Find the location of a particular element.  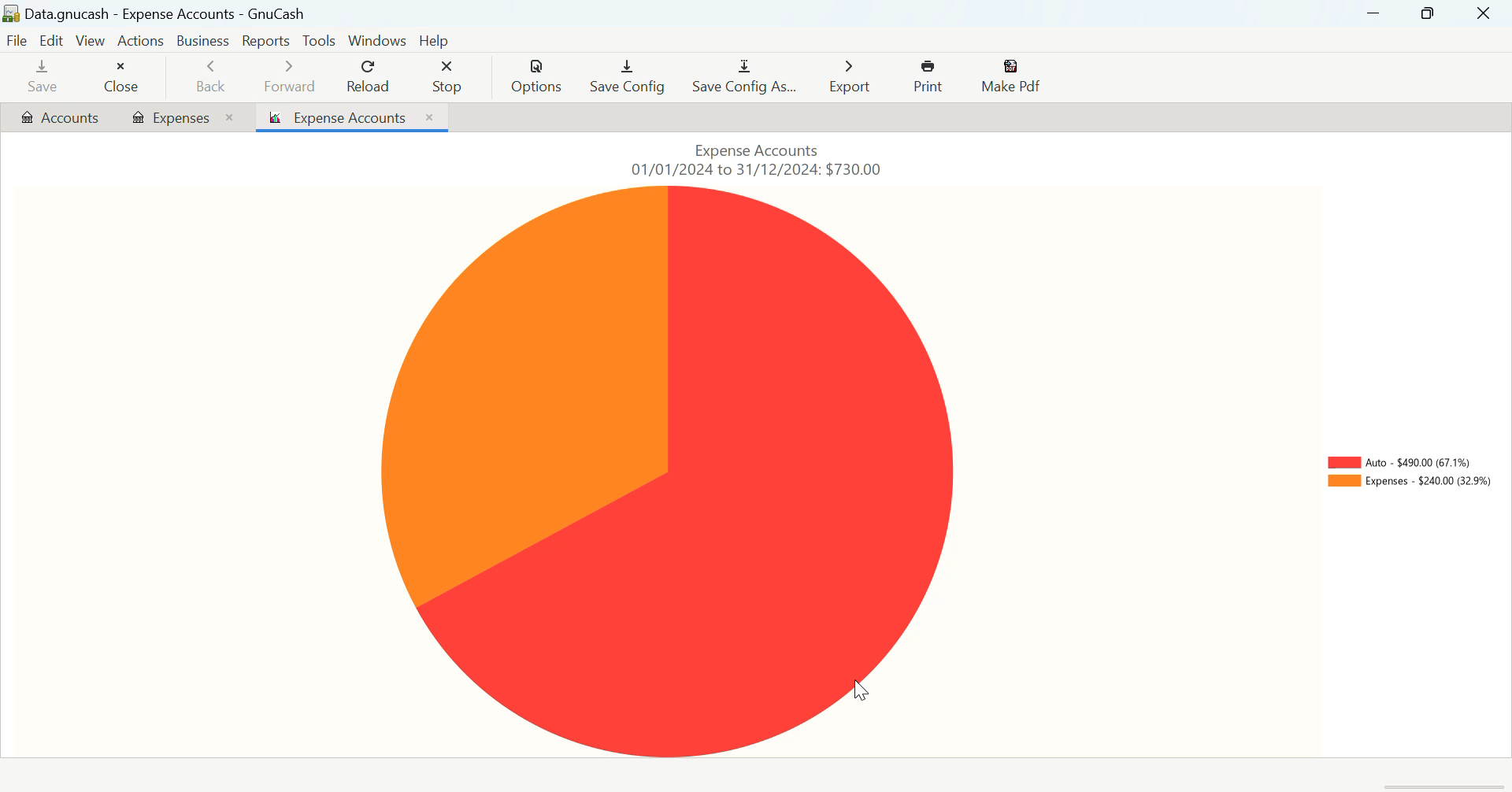

Export is located at coordinates (852, 77).